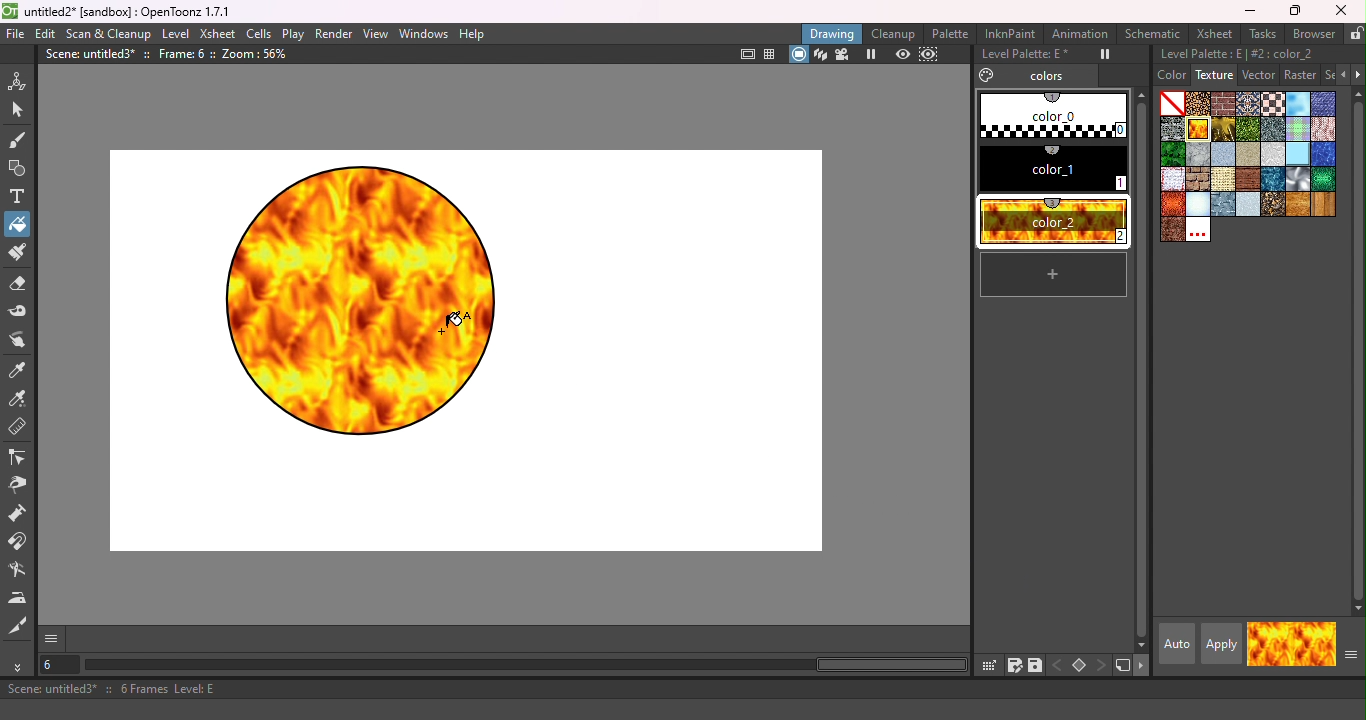 The width and height of the screenshot is (1366, 720). What do you see at coordinates (1172, 180) in the screenshot?
I see `rag_tile_s copy.bmp` at bounding box center [1172, 180].